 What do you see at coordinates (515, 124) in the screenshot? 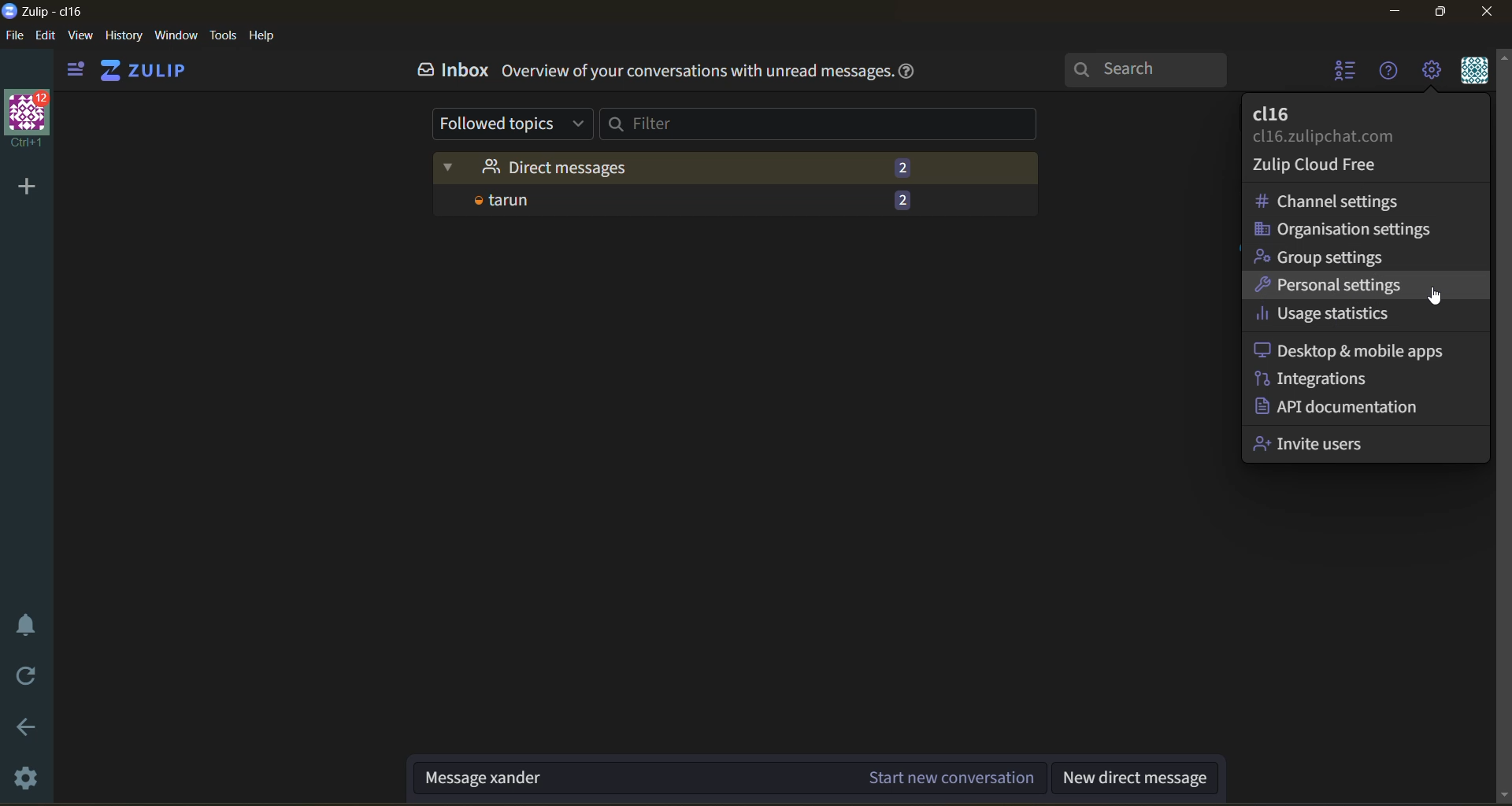
I see `followed topics` at bounding box center [515, 124].